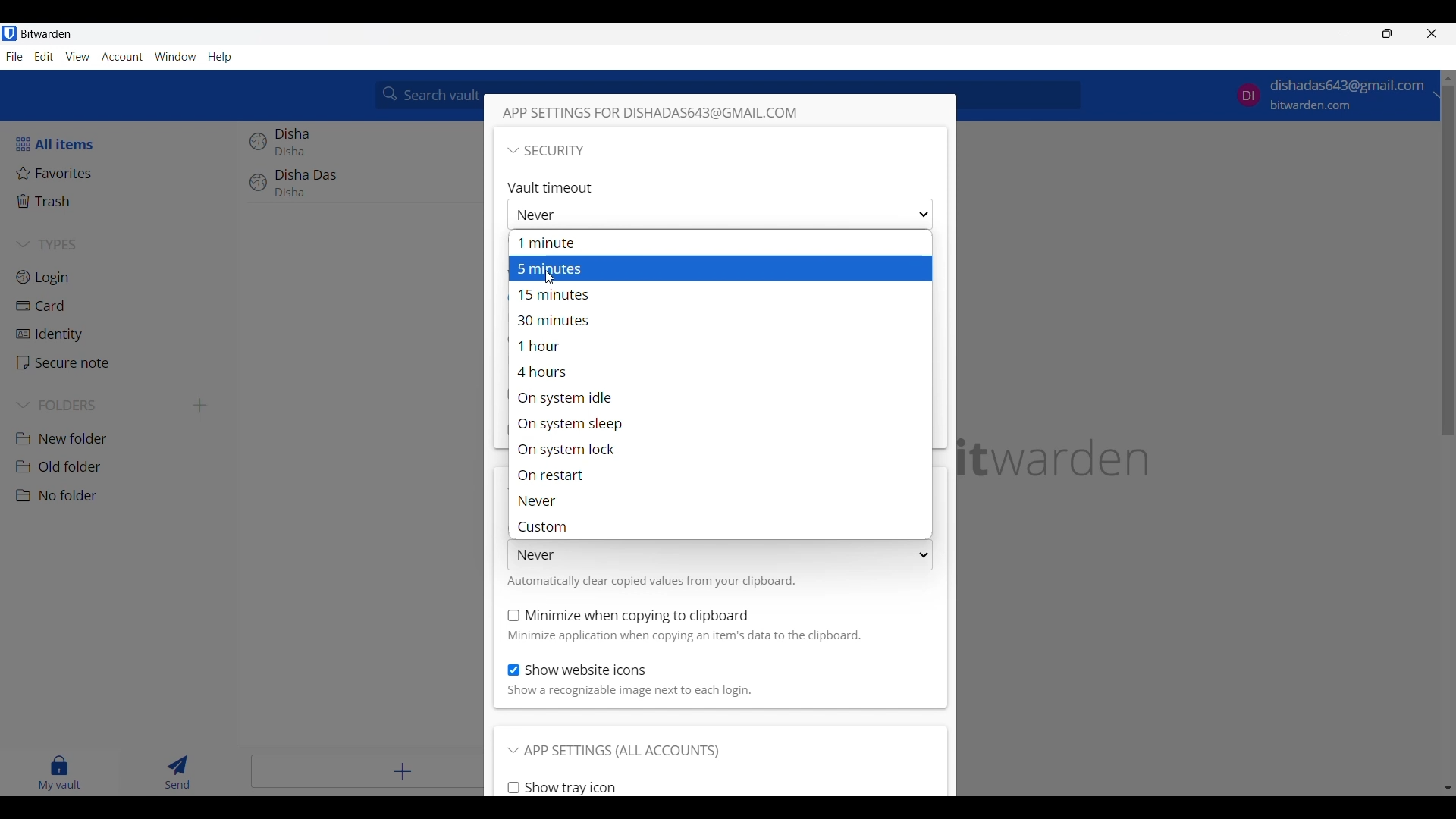 Image resolution: width=1456 pixels, height=819 pixels. Describe the element at coordinates (667, 113) in the screenshot. I see `Window title` at that location.